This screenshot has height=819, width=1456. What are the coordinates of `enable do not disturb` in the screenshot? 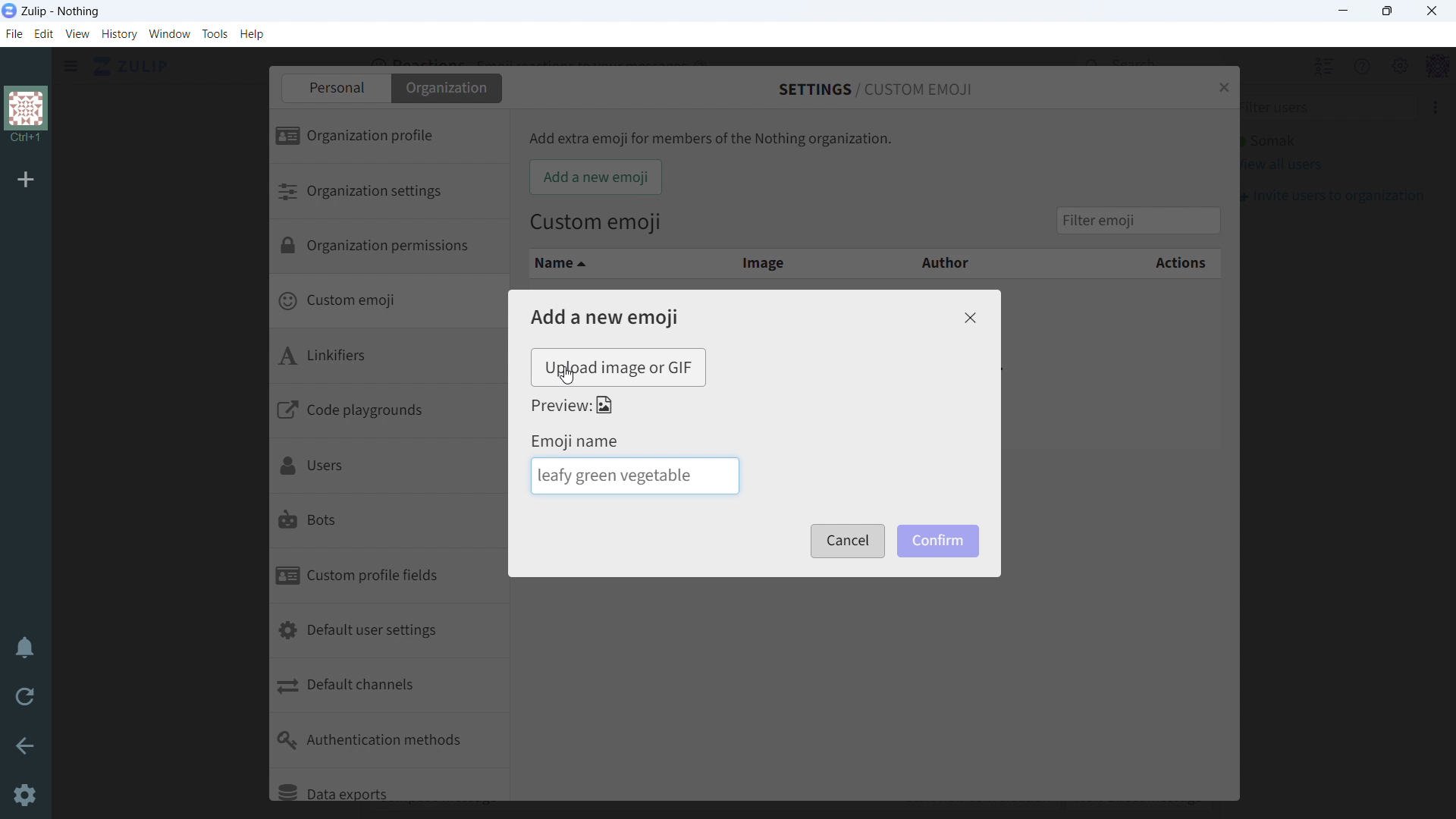 It's located at (24, 649).